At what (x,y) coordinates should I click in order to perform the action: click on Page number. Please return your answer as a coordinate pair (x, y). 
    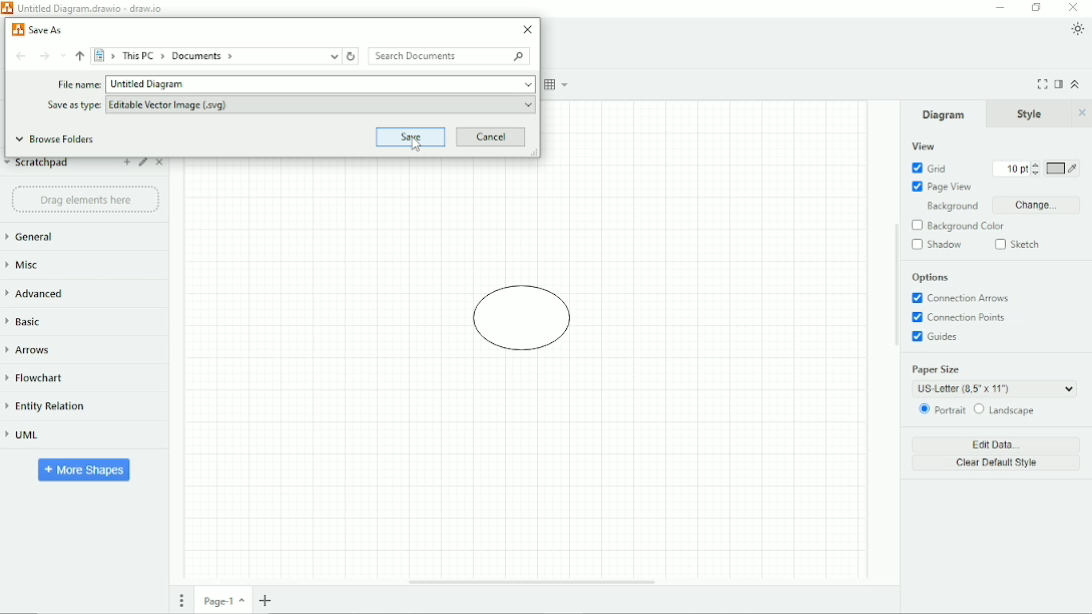
    Looking at the image, I should click on (224, 603).